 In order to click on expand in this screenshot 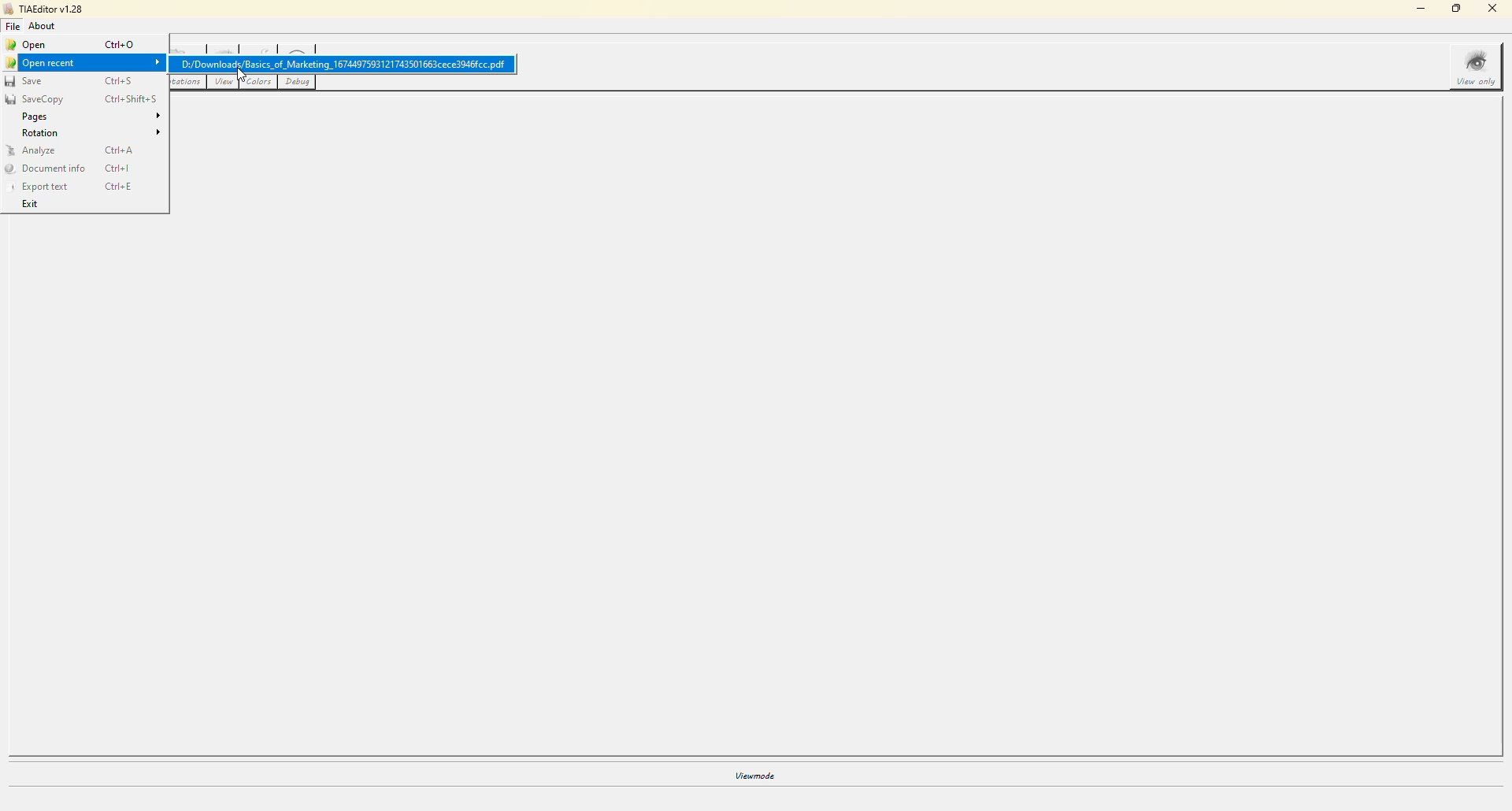, I will do `click(159, 116)`.